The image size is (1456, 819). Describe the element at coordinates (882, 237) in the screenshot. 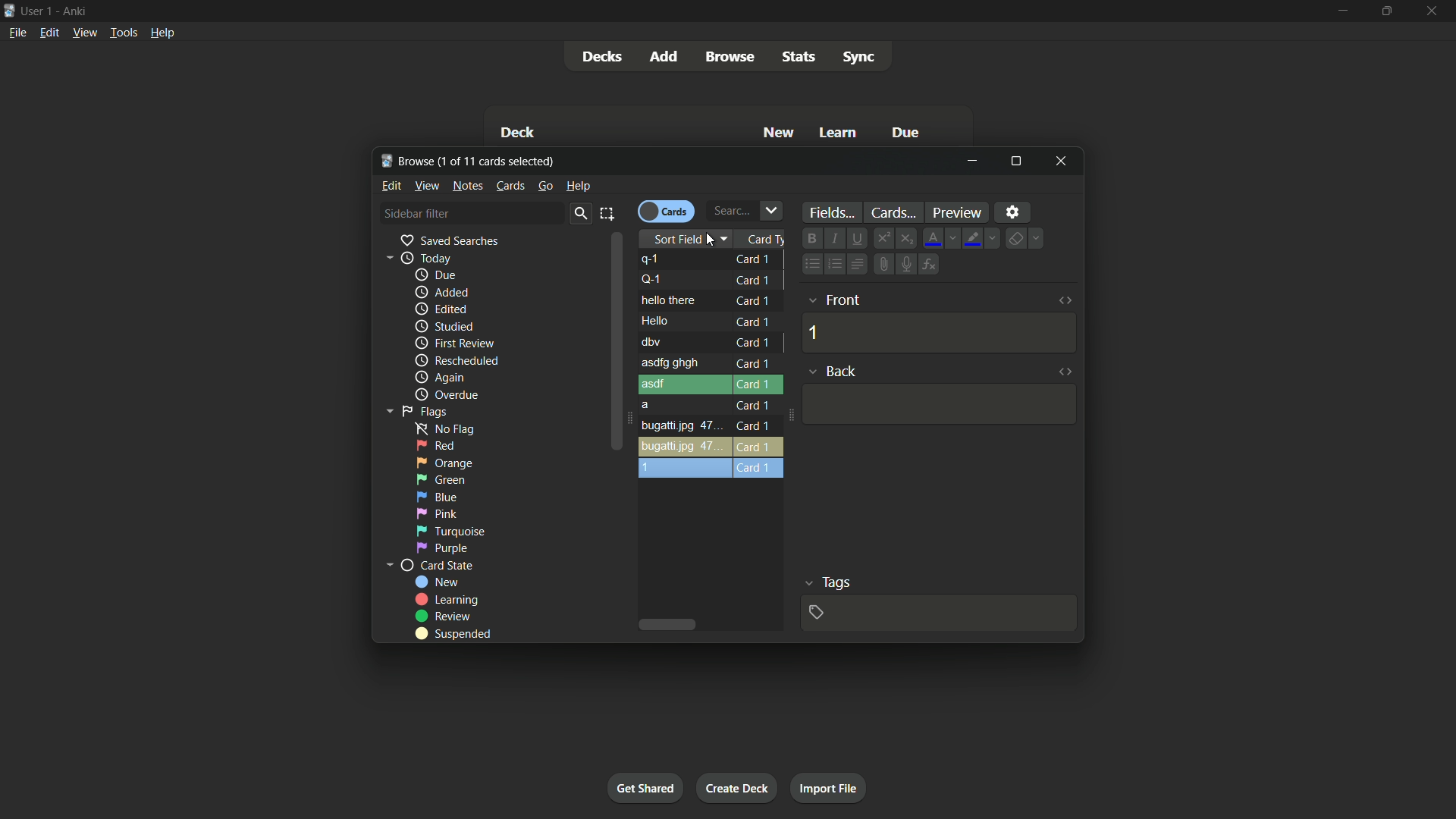

I see `superscript` at that location.